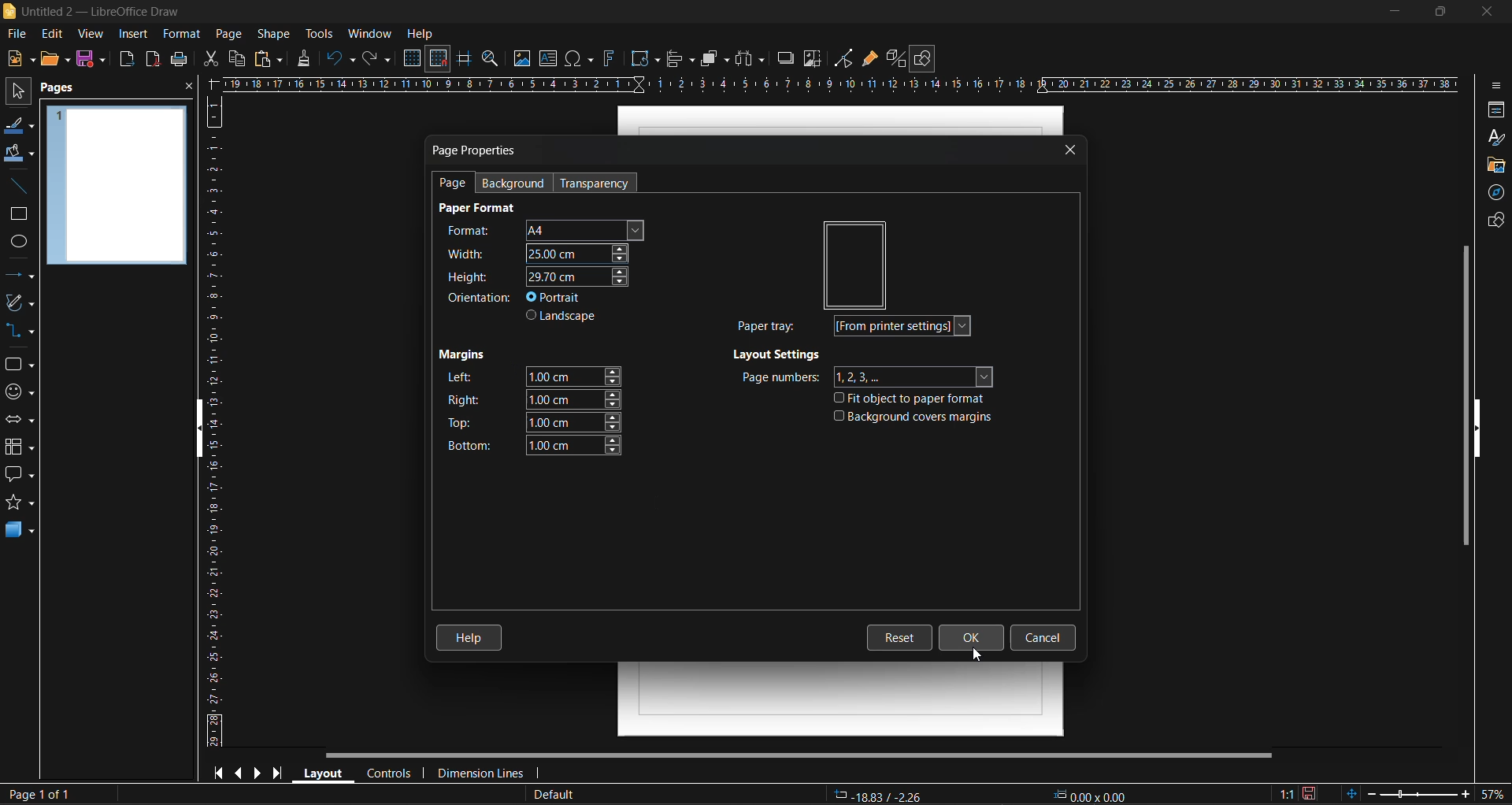 This screenshot has width=1512, height=805. What do you see at coordinates (902, 636) in the screenshot?
I see `reset` at bounding box center [902, 636].